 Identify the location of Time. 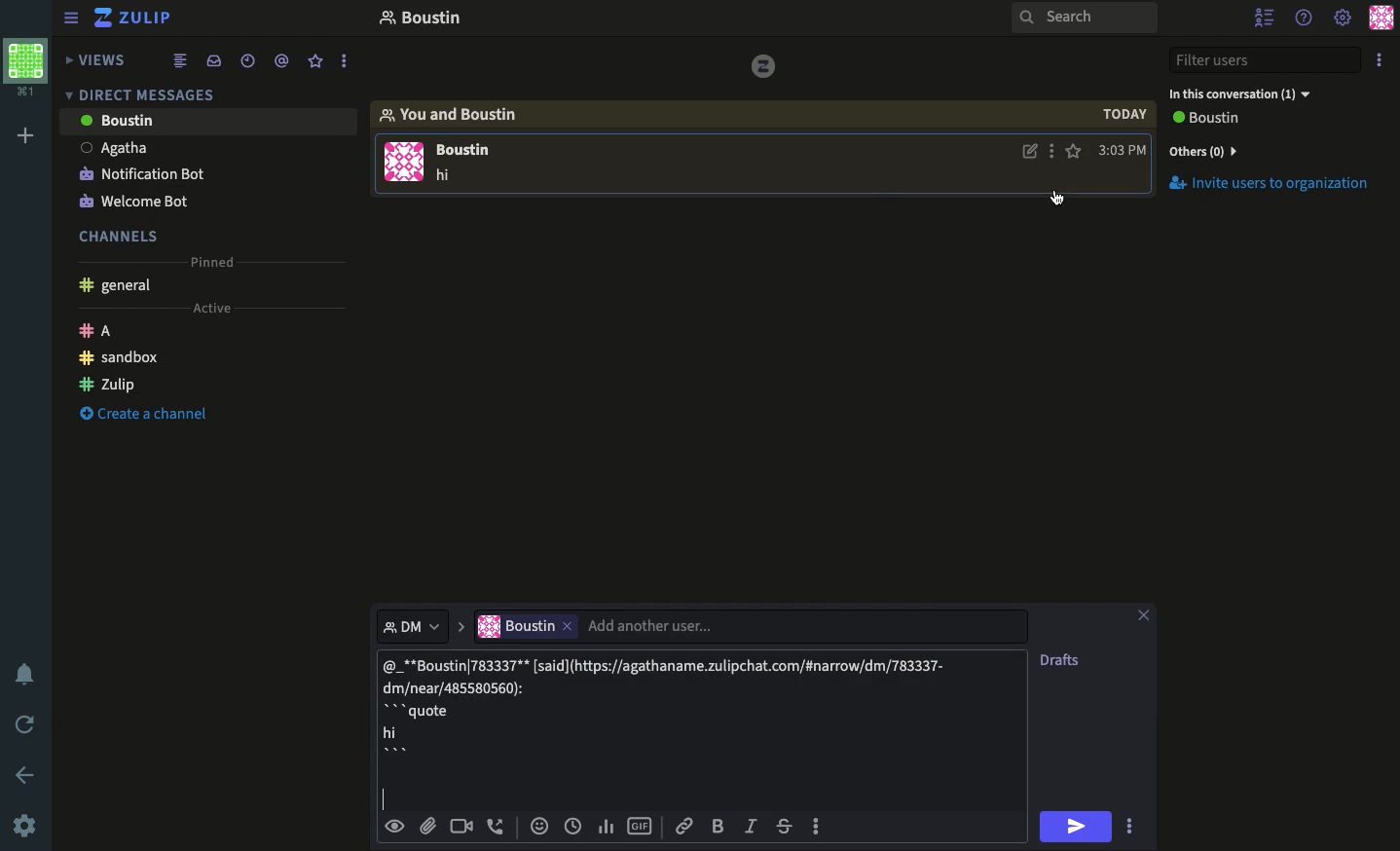
(246, 59).